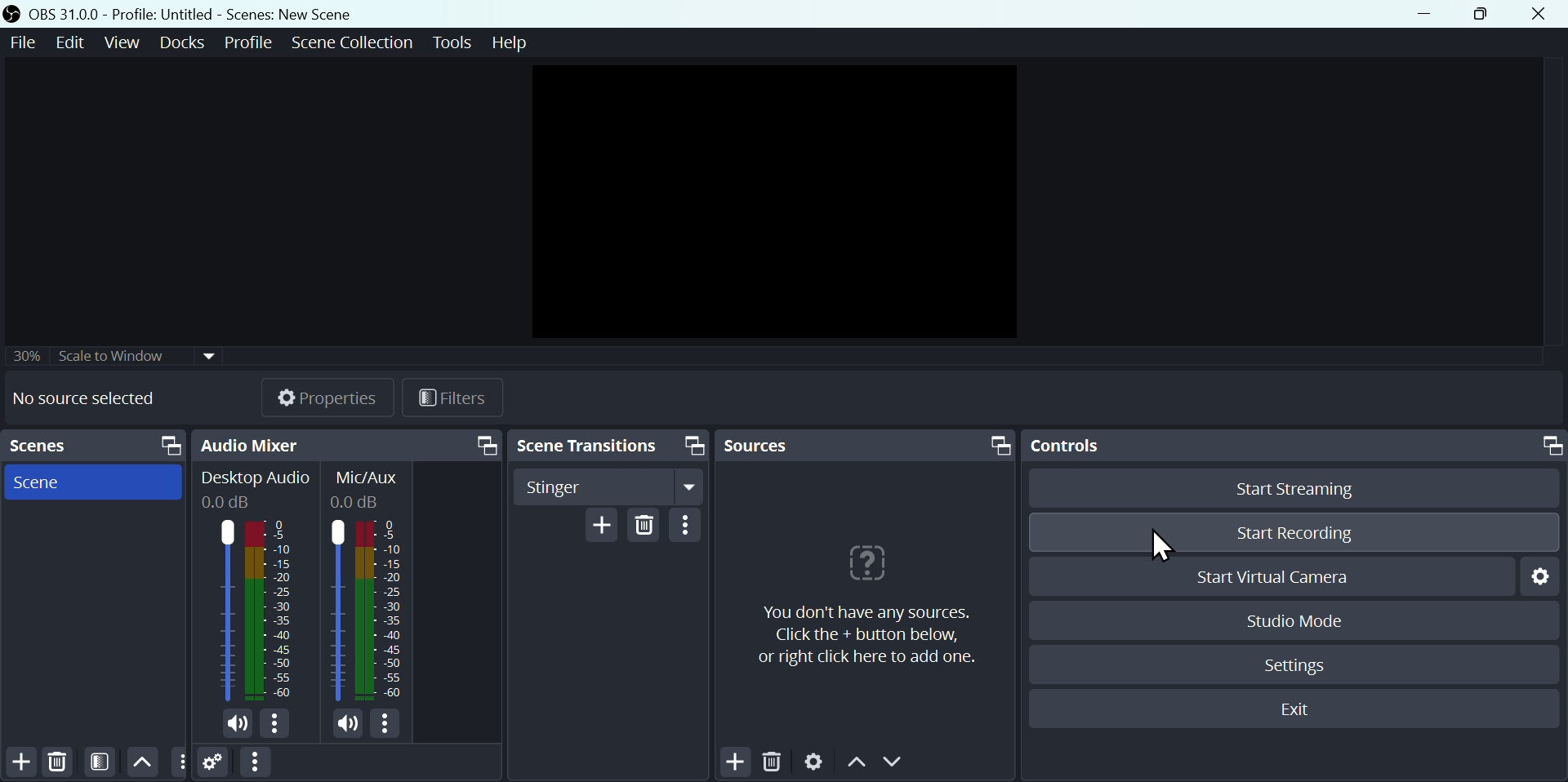 This screenshot has height=782, width=1568. Describe the element at coordinates (170, 445) in the screenshot. I see `maximize` at that location.